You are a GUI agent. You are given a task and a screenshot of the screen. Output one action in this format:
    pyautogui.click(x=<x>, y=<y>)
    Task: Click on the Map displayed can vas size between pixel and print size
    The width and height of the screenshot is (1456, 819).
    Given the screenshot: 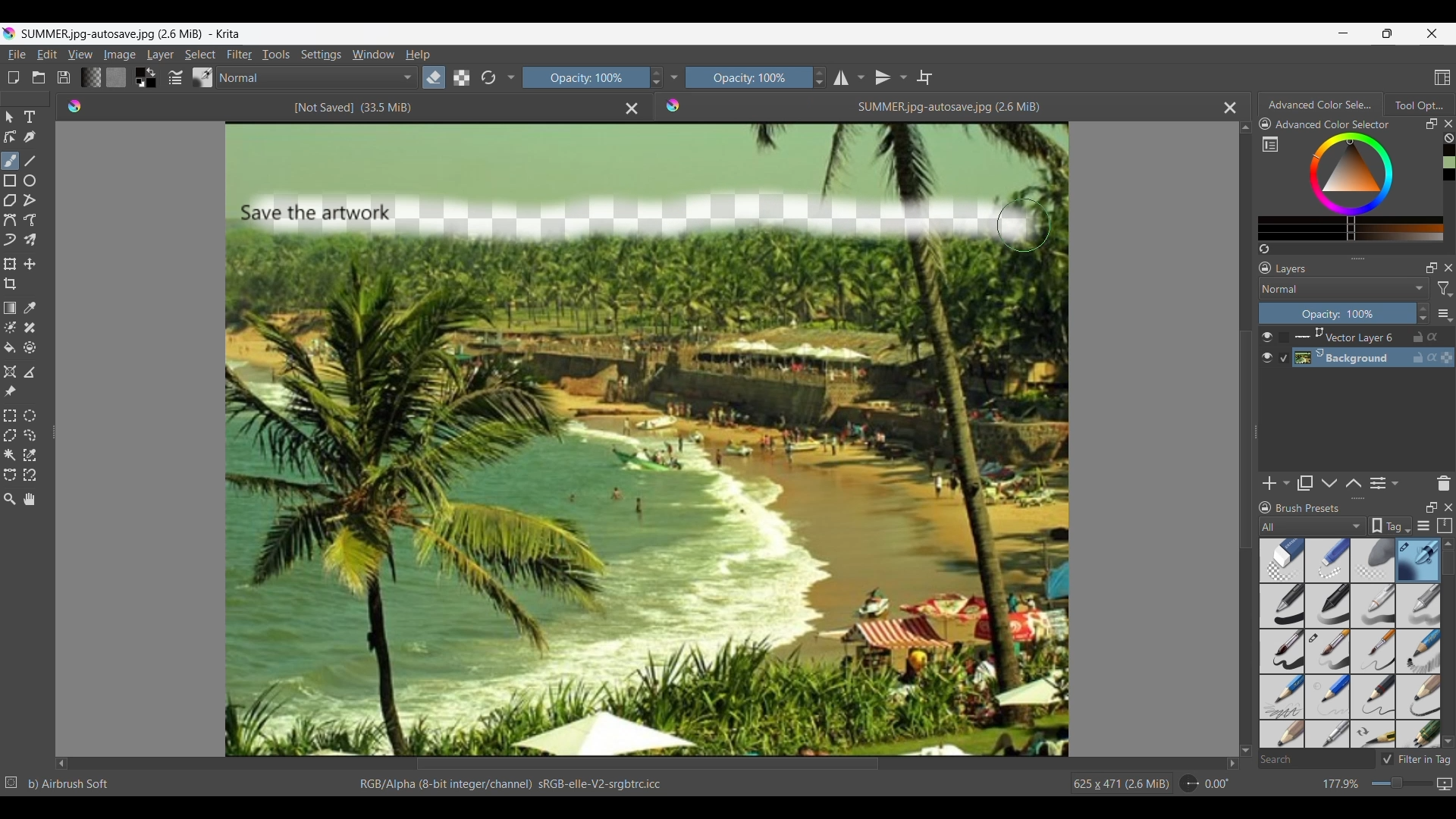 What is the action you would take?
    pyautogui.click(x=1445, y=784)
    